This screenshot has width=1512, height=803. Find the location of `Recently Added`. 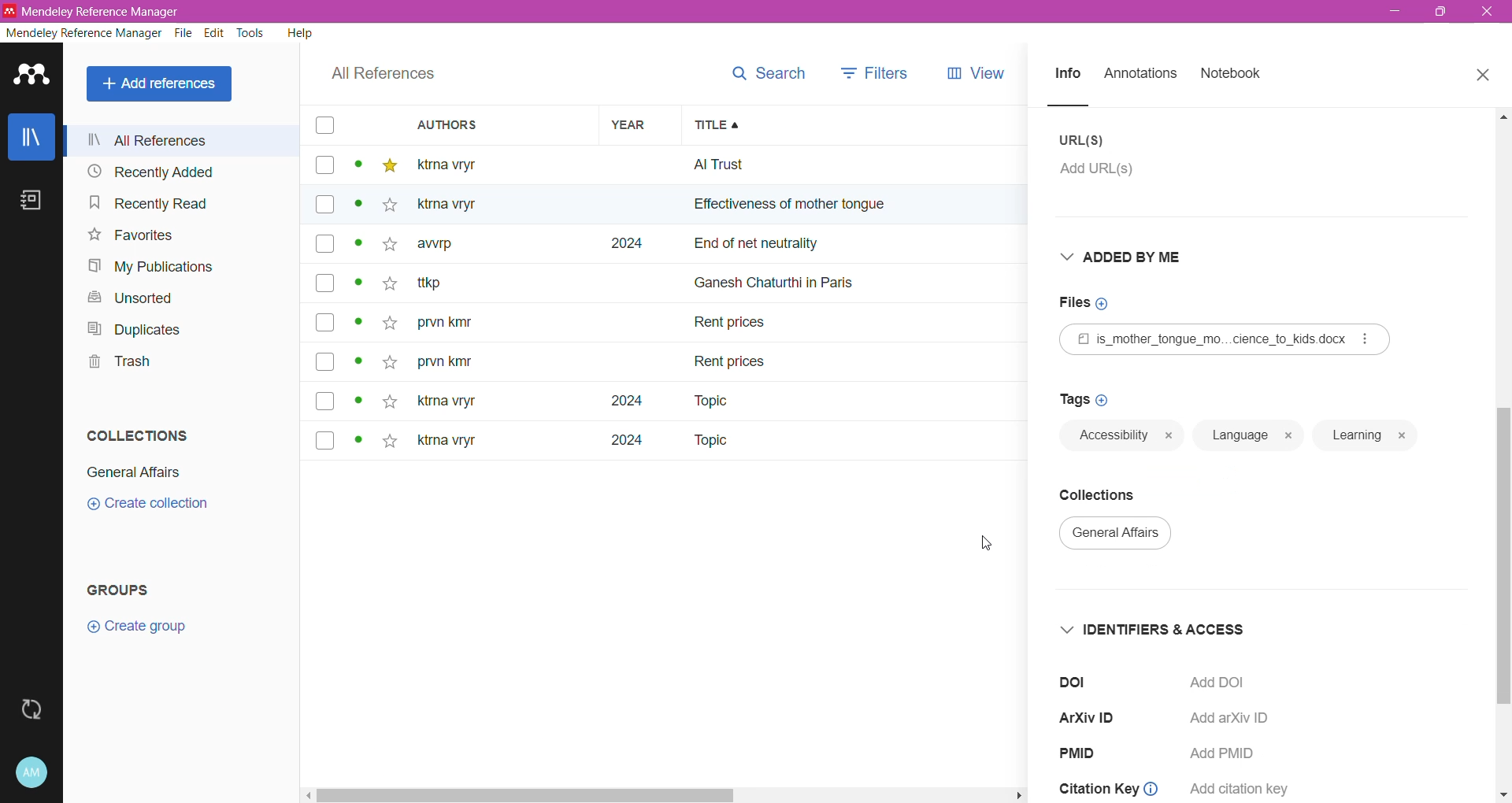

Recently Added is located at coordinates (176, 171).